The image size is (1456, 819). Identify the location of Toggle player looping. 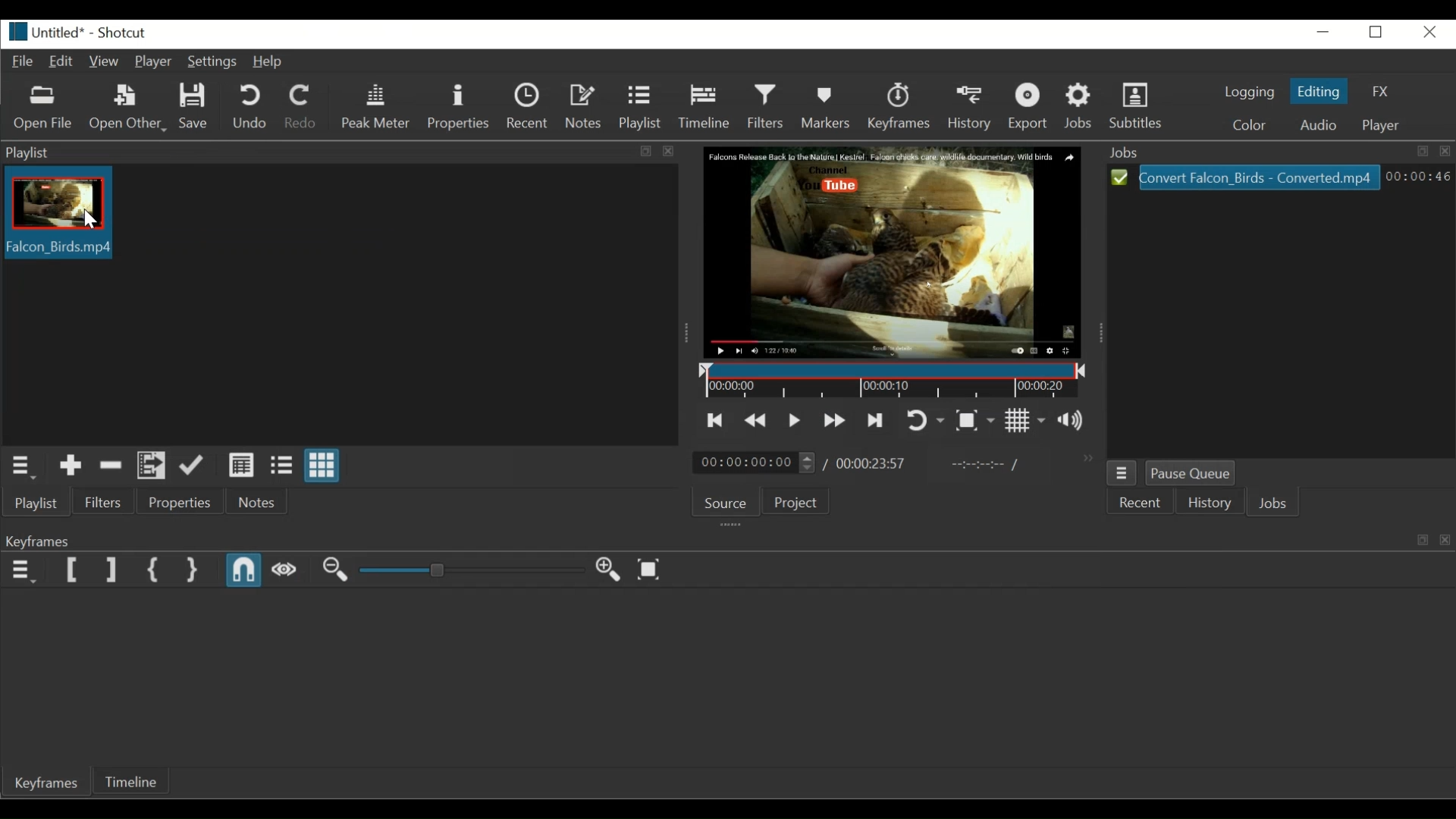
(925, 420).